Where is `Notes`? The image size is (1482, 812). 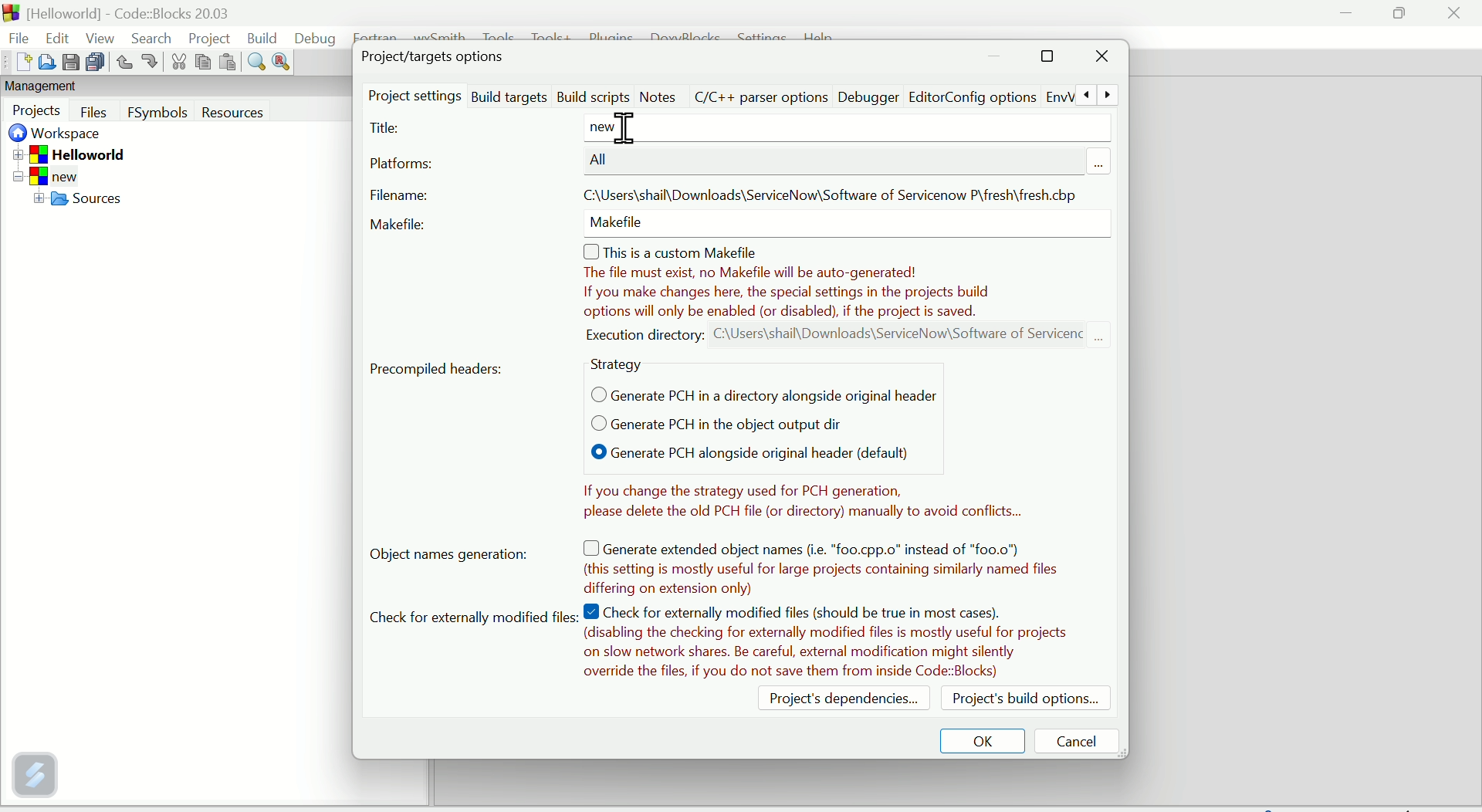 Notes is located at coordinates (796, 499).